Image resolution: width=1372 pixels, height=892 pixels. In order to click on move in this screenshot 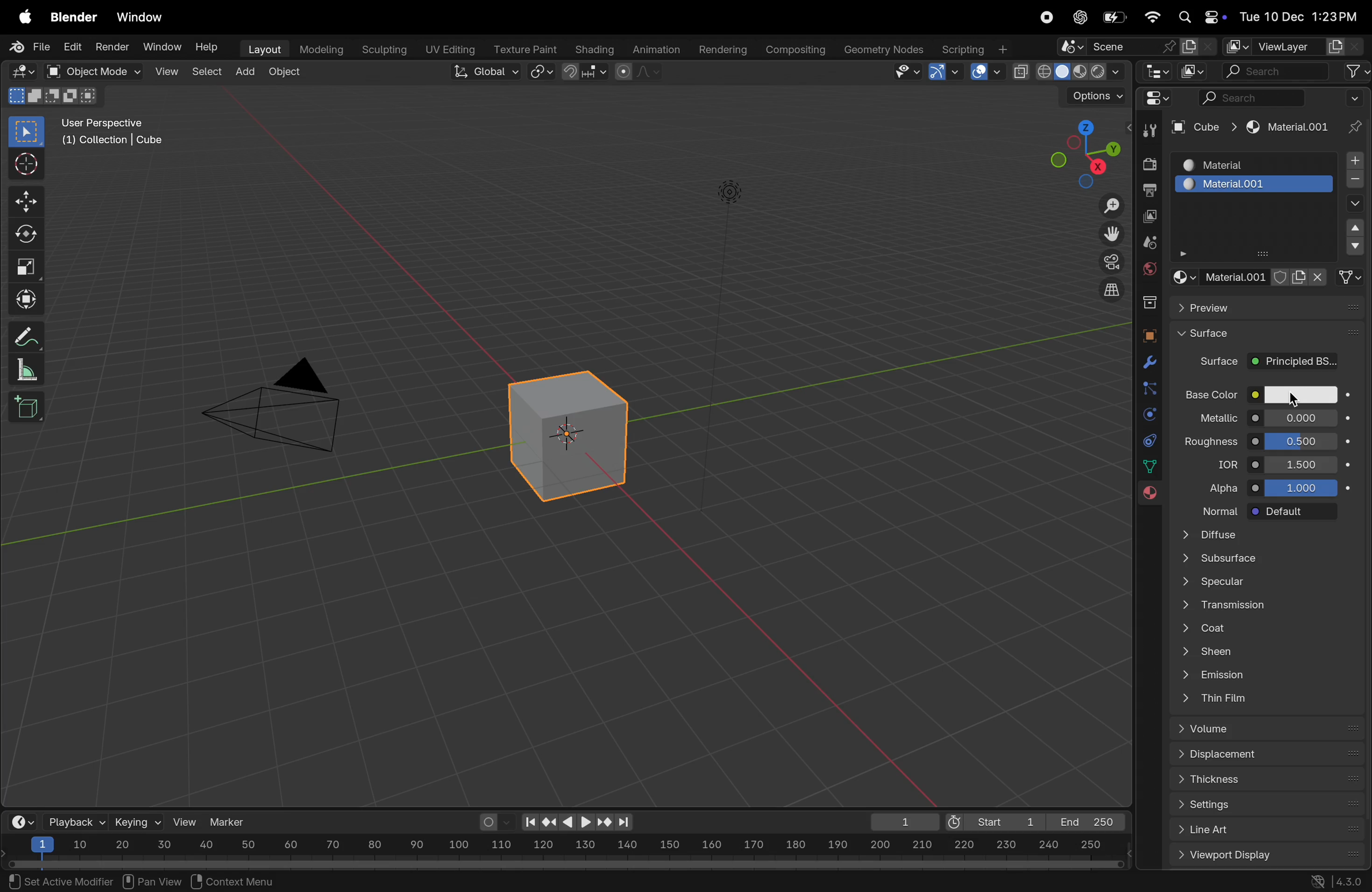, I will do `click(25, 202)`.